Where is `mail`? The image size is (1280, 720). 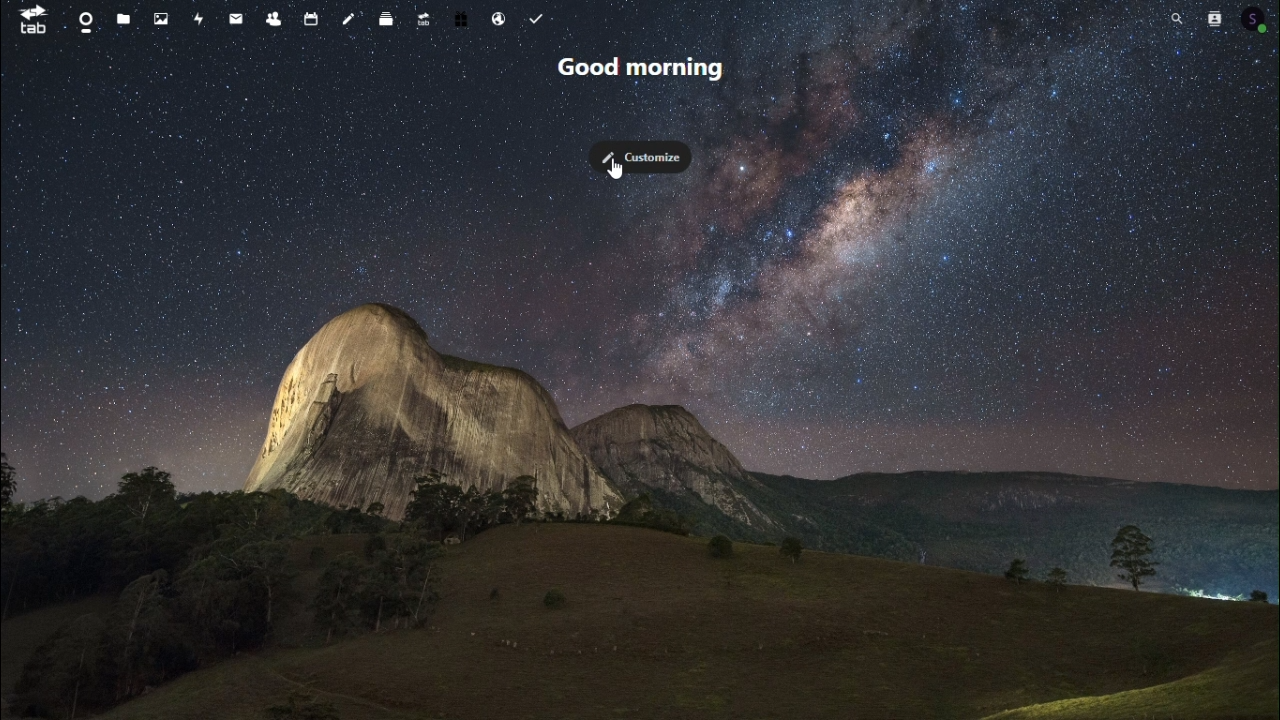
mail is located at coordinates (240, 16).